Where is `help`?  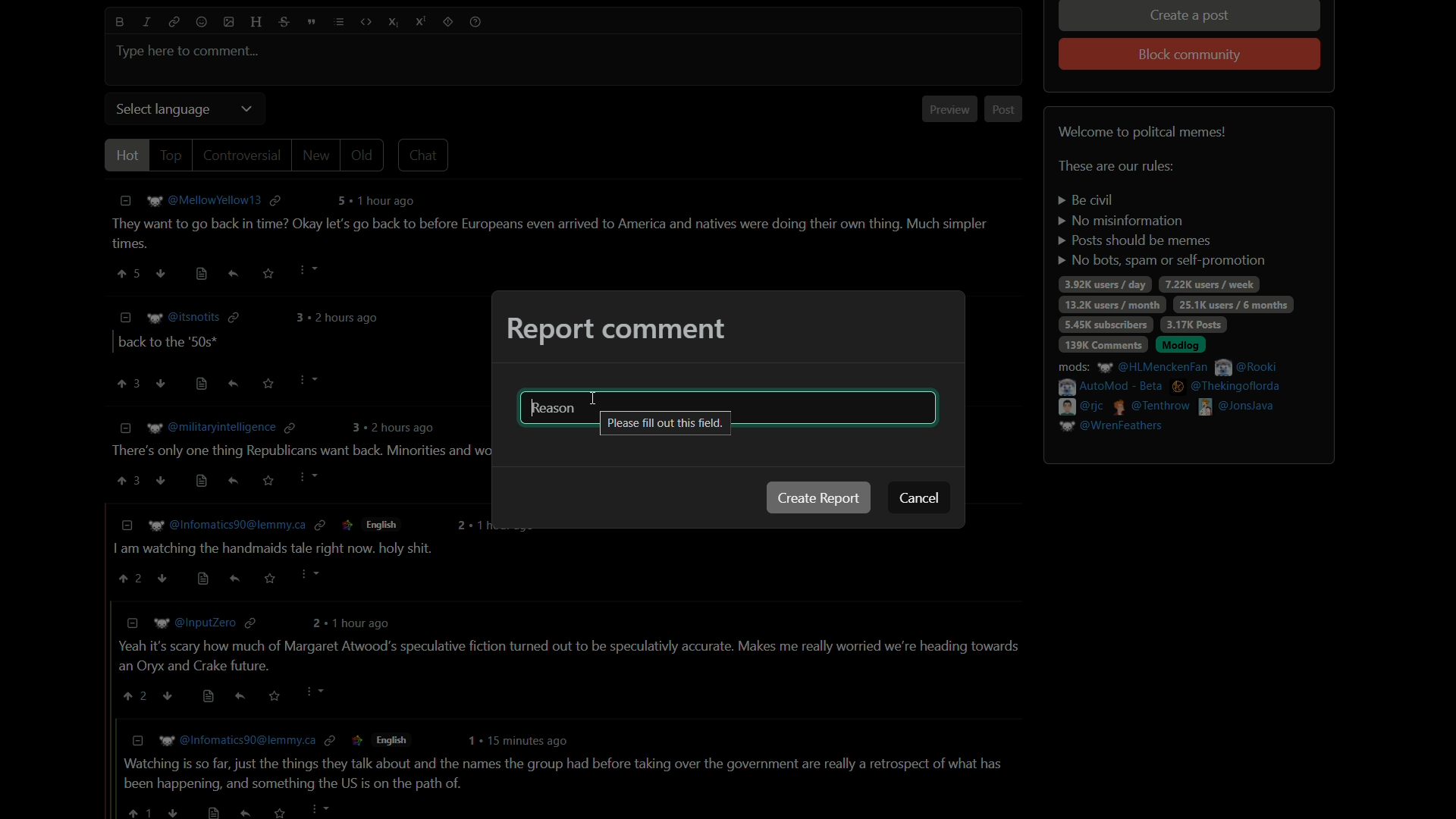 help is located at coordinates (476, 22).